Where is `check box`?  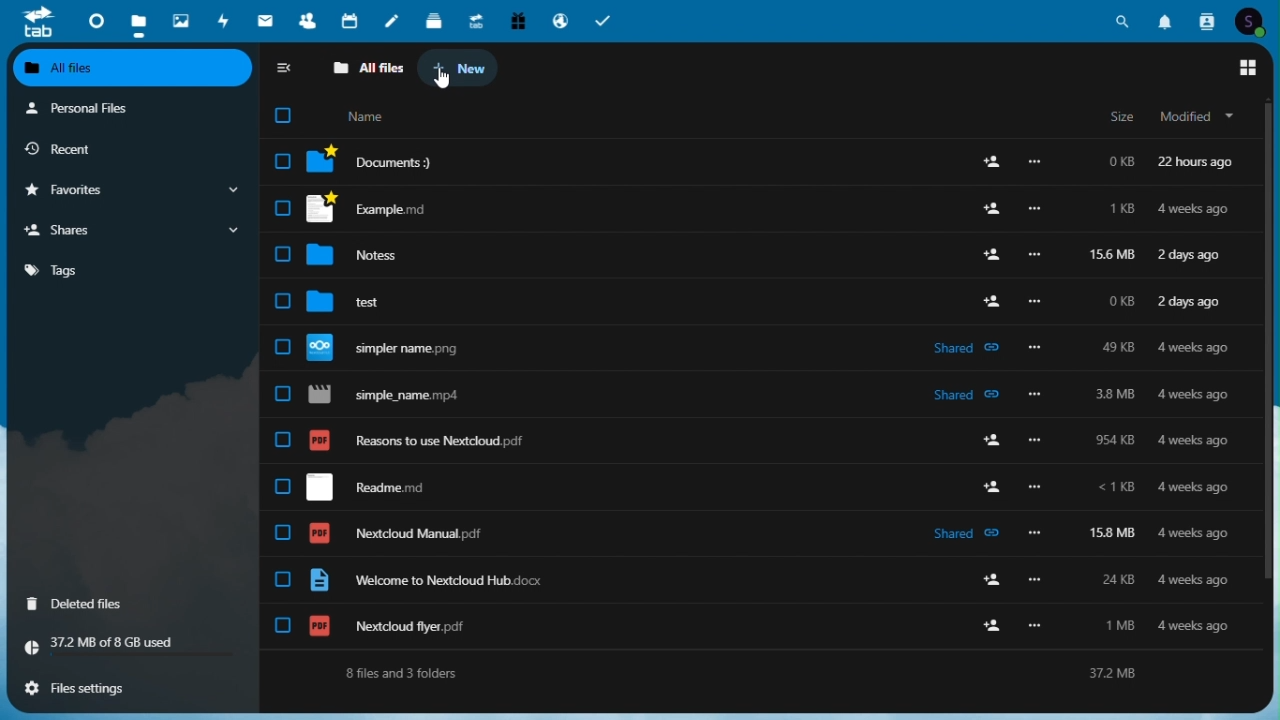
check box is located at coordinates (279, 579).